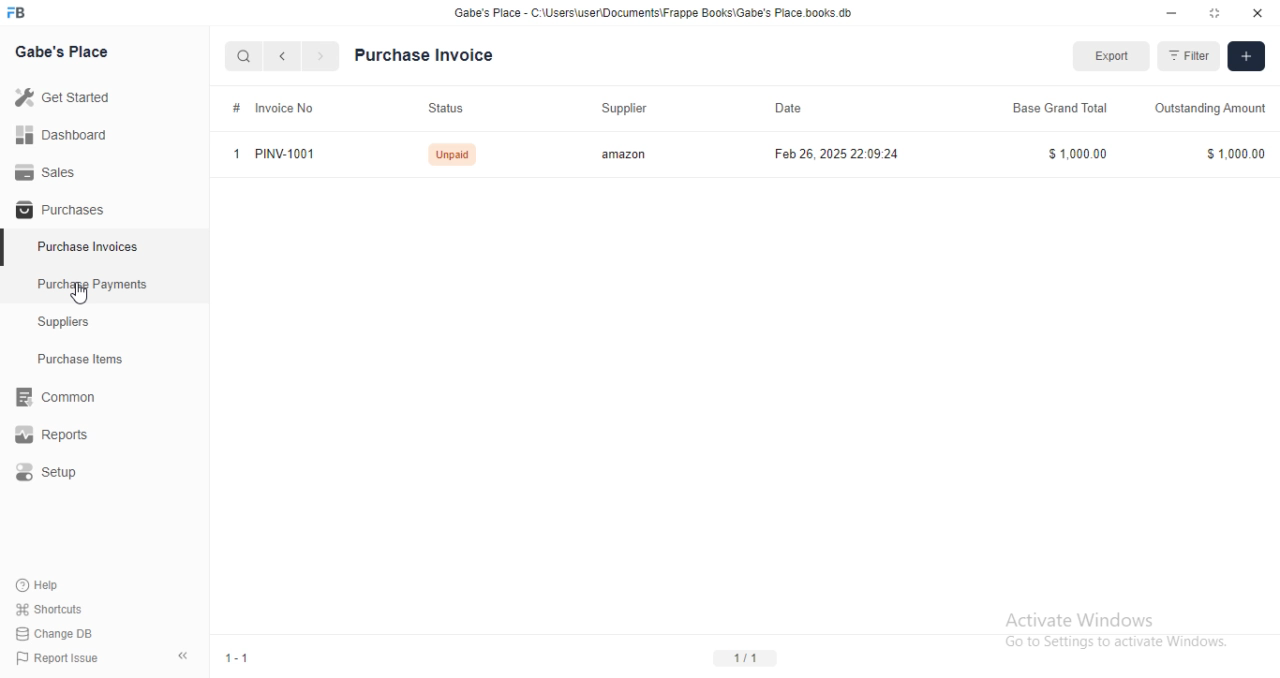 Image resolution: width=1280 pixels, height=678 pixels. I want to click on 1-1, so click(238, 657).